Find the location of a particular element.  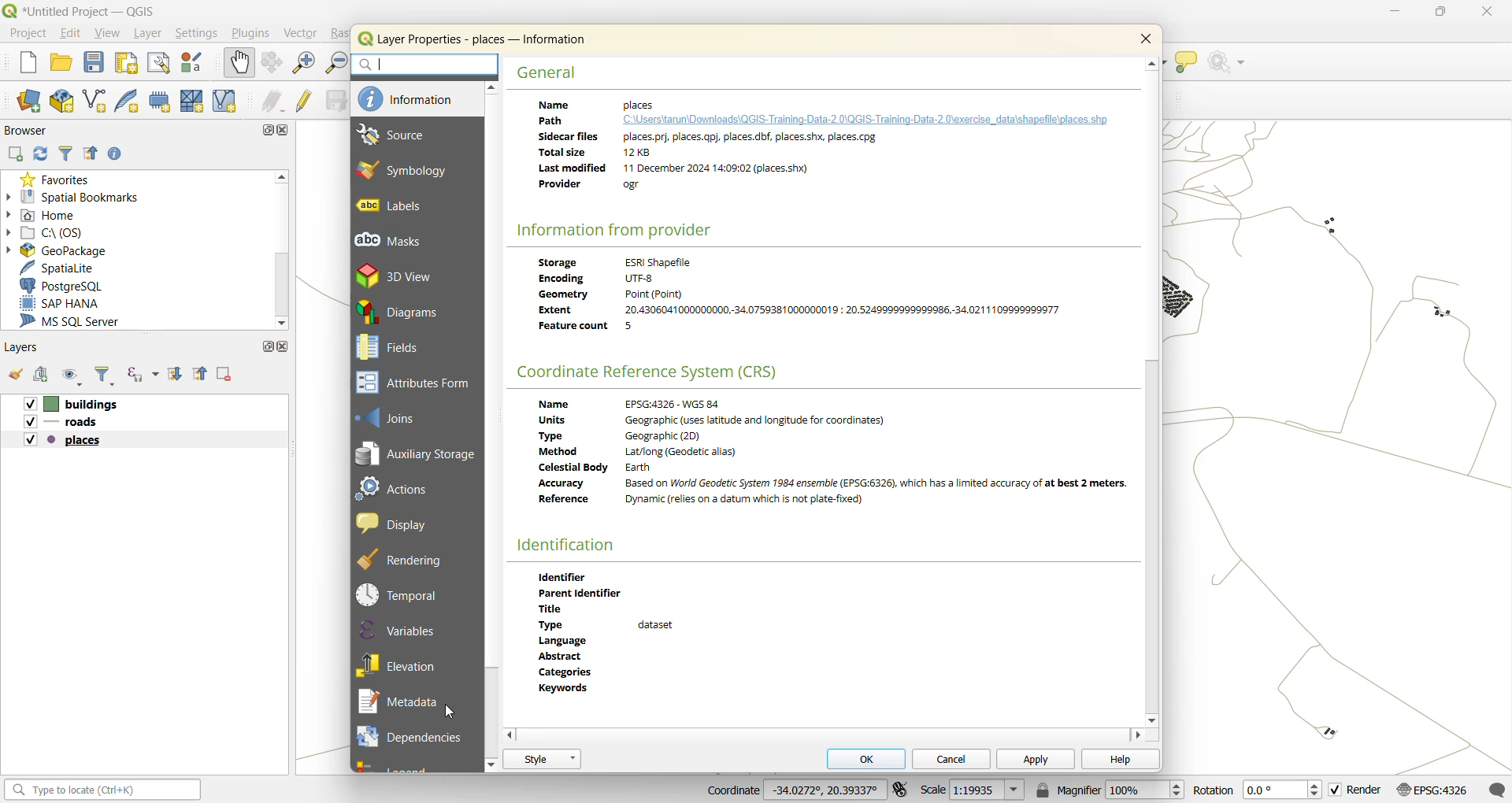

spatilite is located at coordinates (72, 265).